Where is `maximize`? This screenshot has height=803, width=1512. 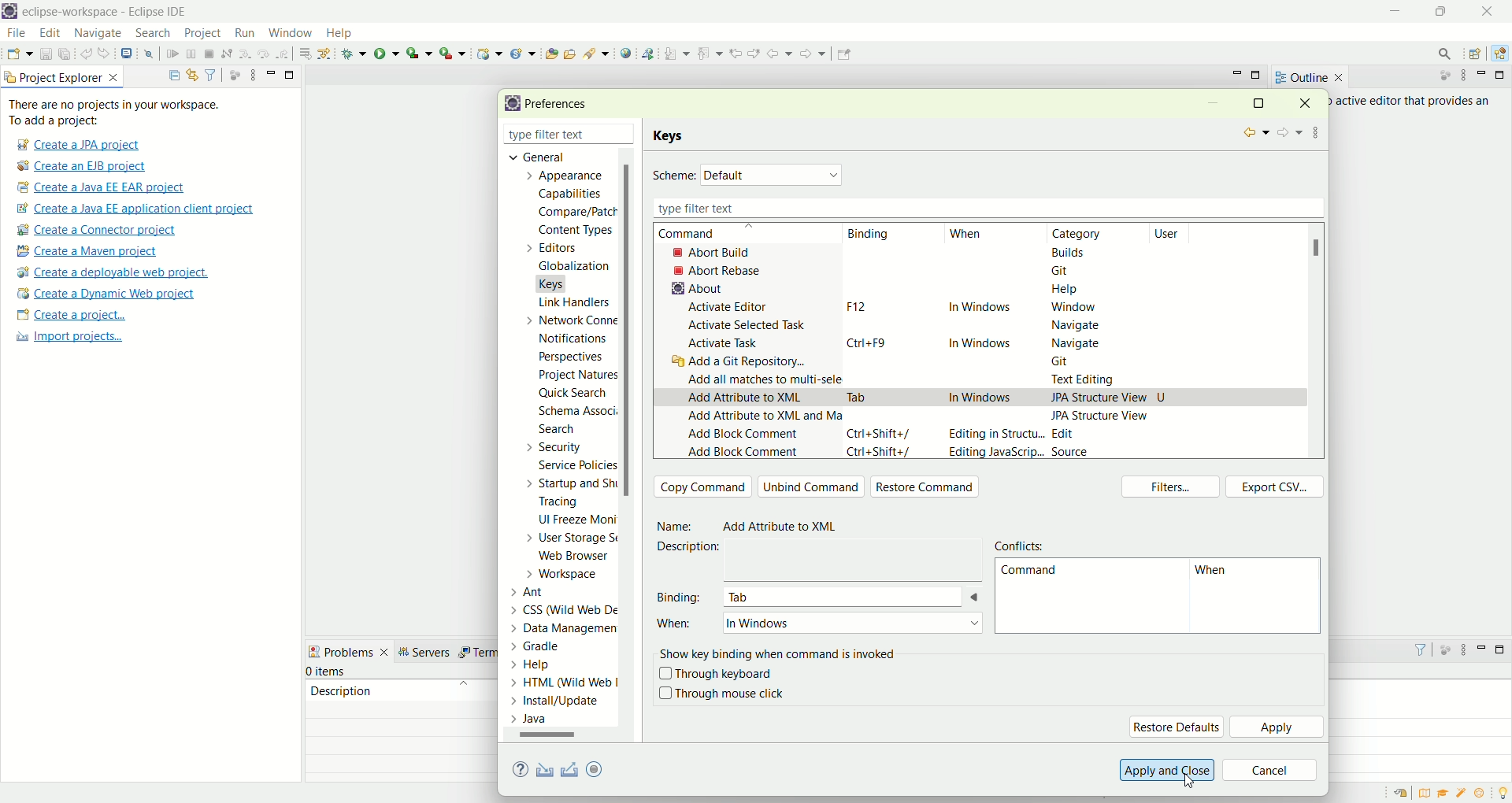
maximize is located at coordinates (1445, 11).